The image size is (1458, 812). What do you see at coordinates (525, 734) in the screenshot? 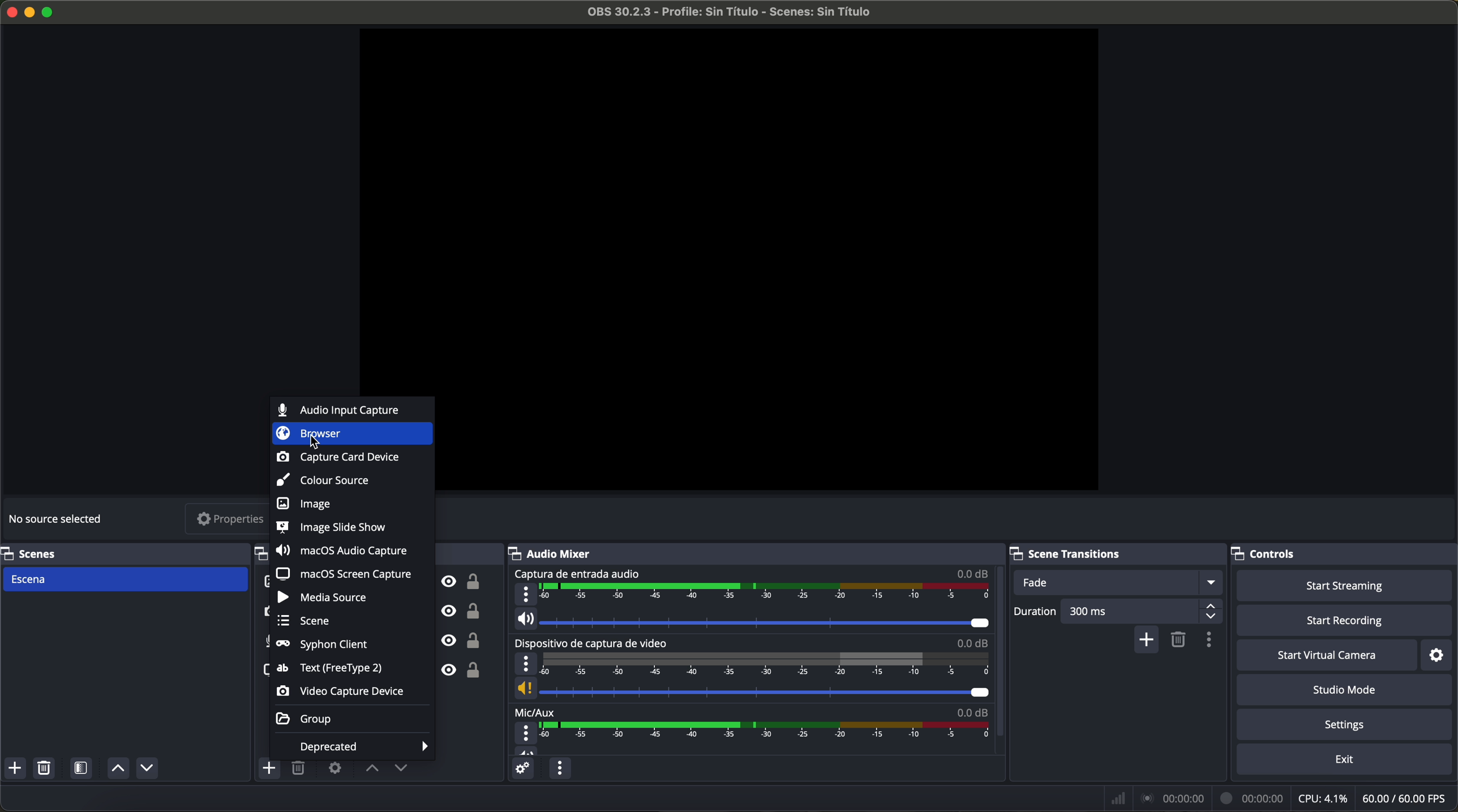
I see `more options` at bounding box center [525, 734].